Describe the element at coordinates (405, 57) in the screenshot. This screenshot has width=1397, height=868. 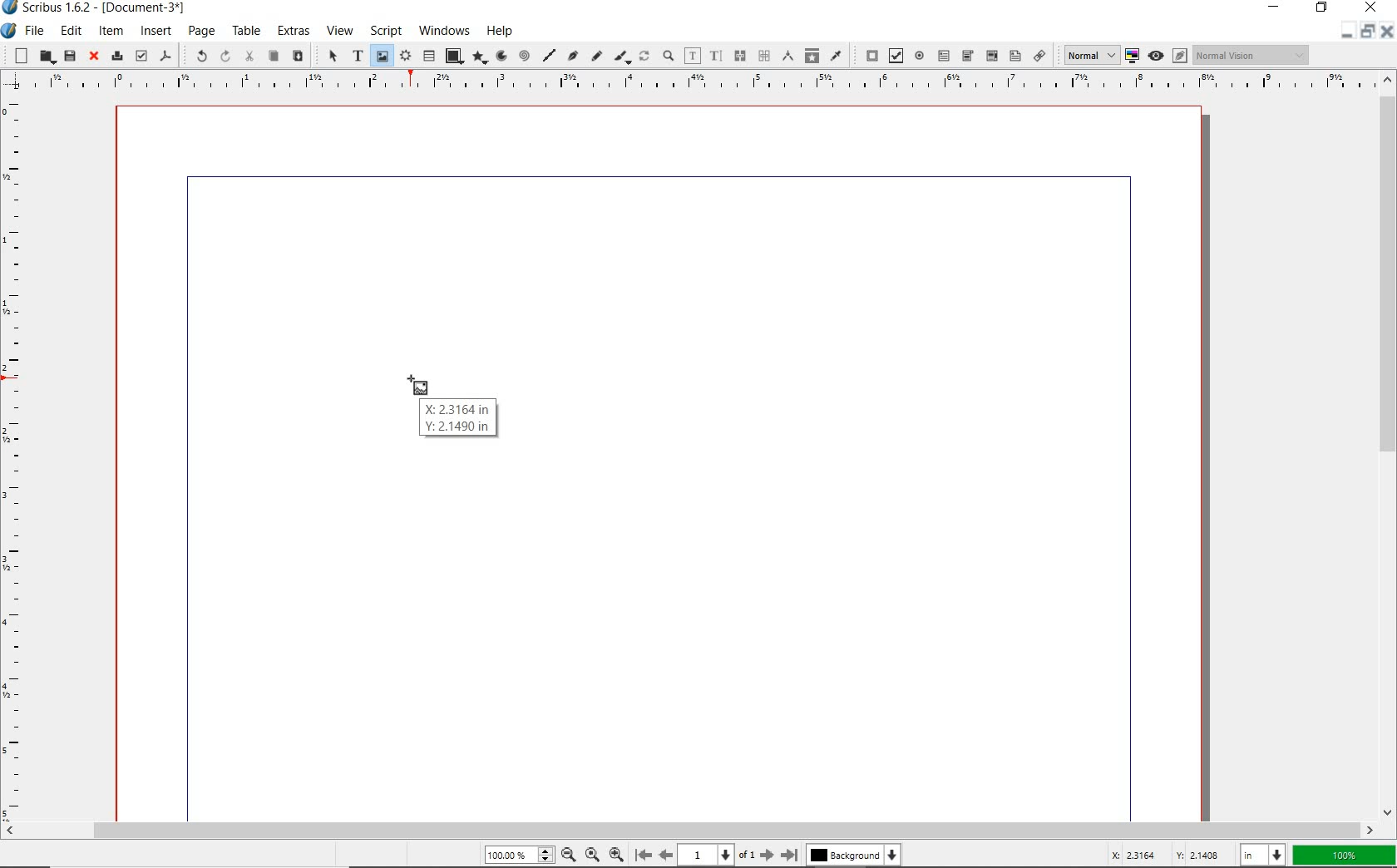
I see `render frame` at that location.